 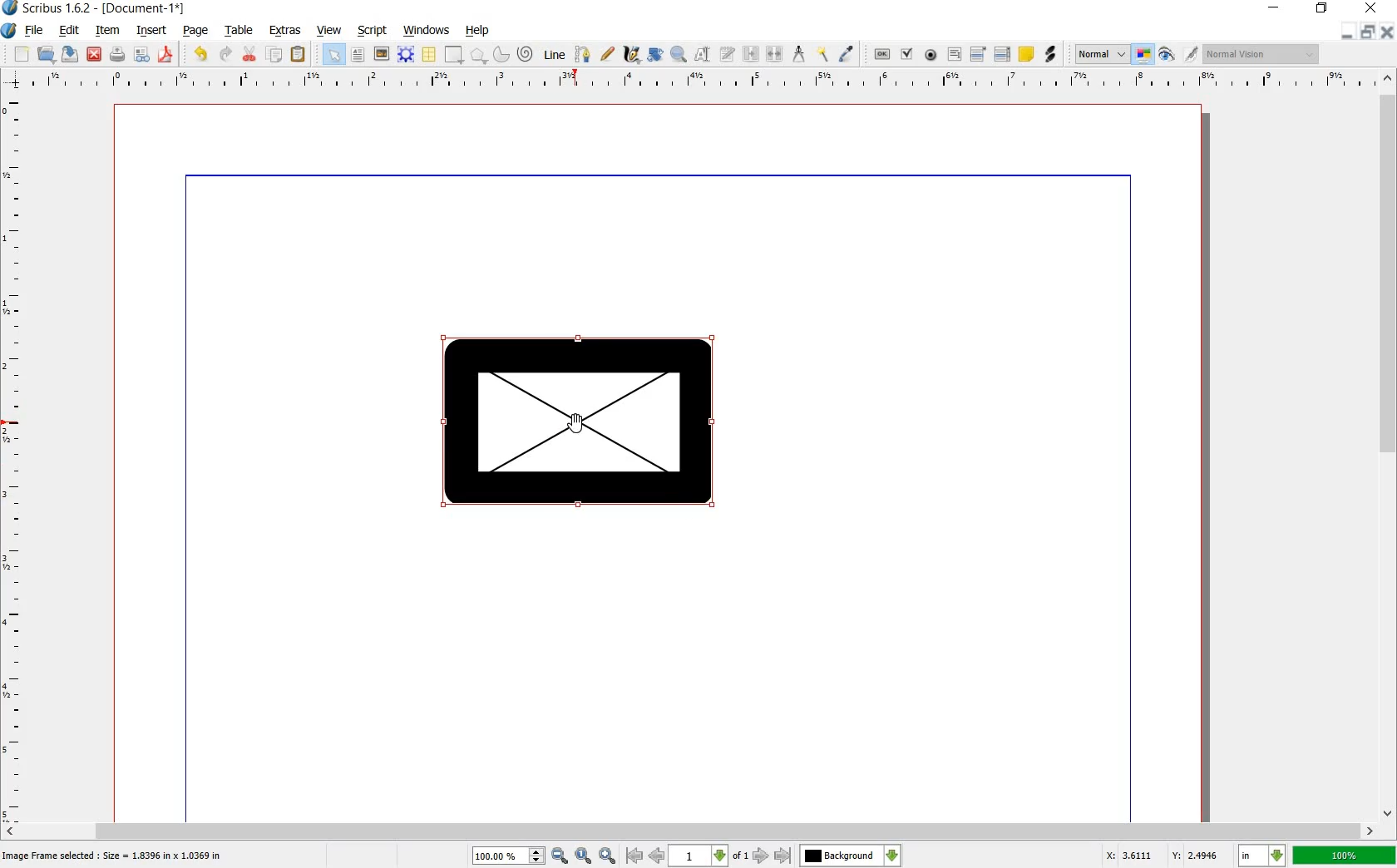 What do you see at coordinates (1143, 55) in the screenshot?
I see `toggle color management system` at bounding box center [1143, 55].